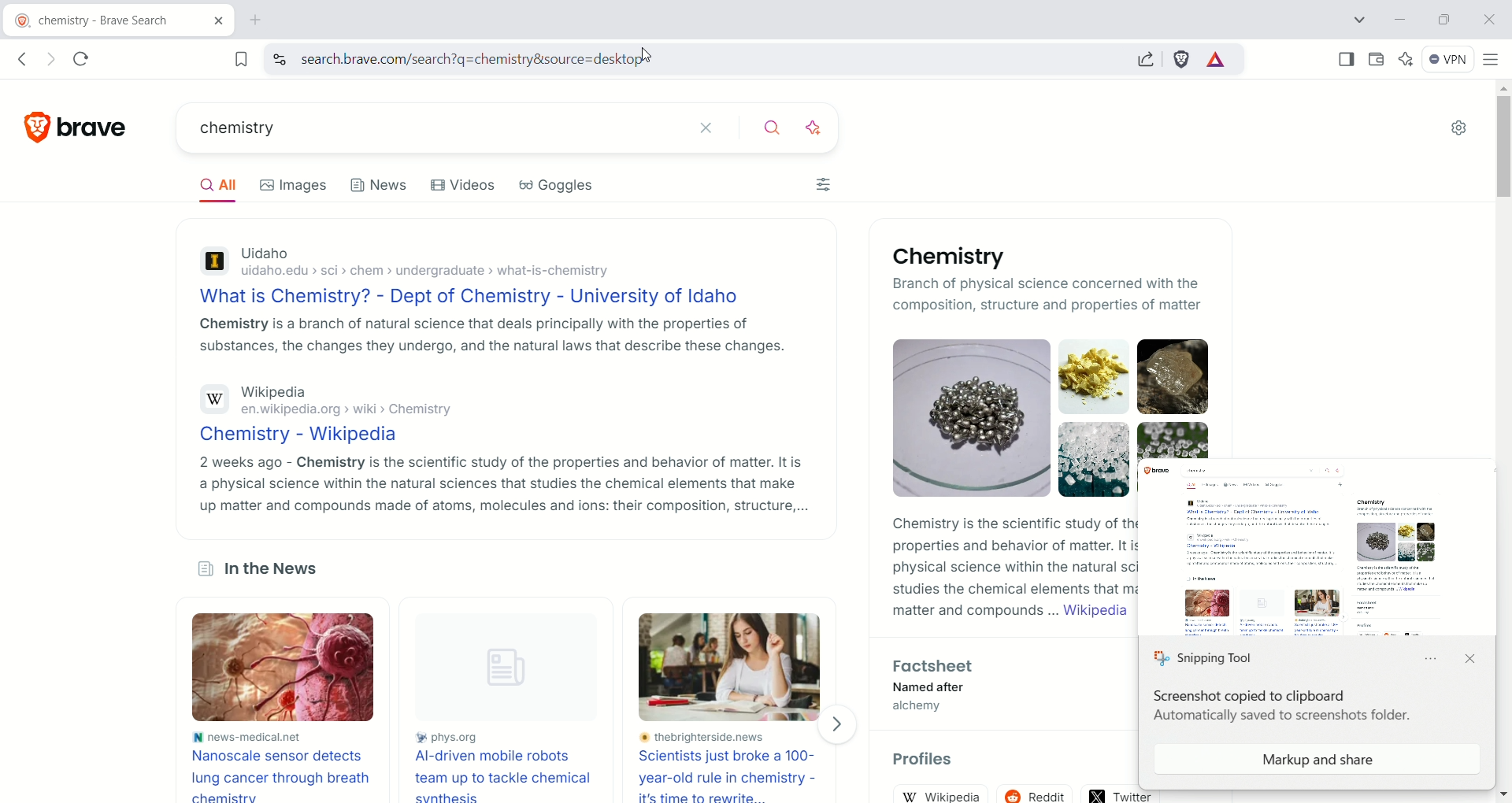  What do you see at coordinates (350, 413) in the screenshot?
I see `Wikipediaen.wikipedia.org > wiki > ChemistryChemistry - Wikipedia` at bounding box center [350, 413].